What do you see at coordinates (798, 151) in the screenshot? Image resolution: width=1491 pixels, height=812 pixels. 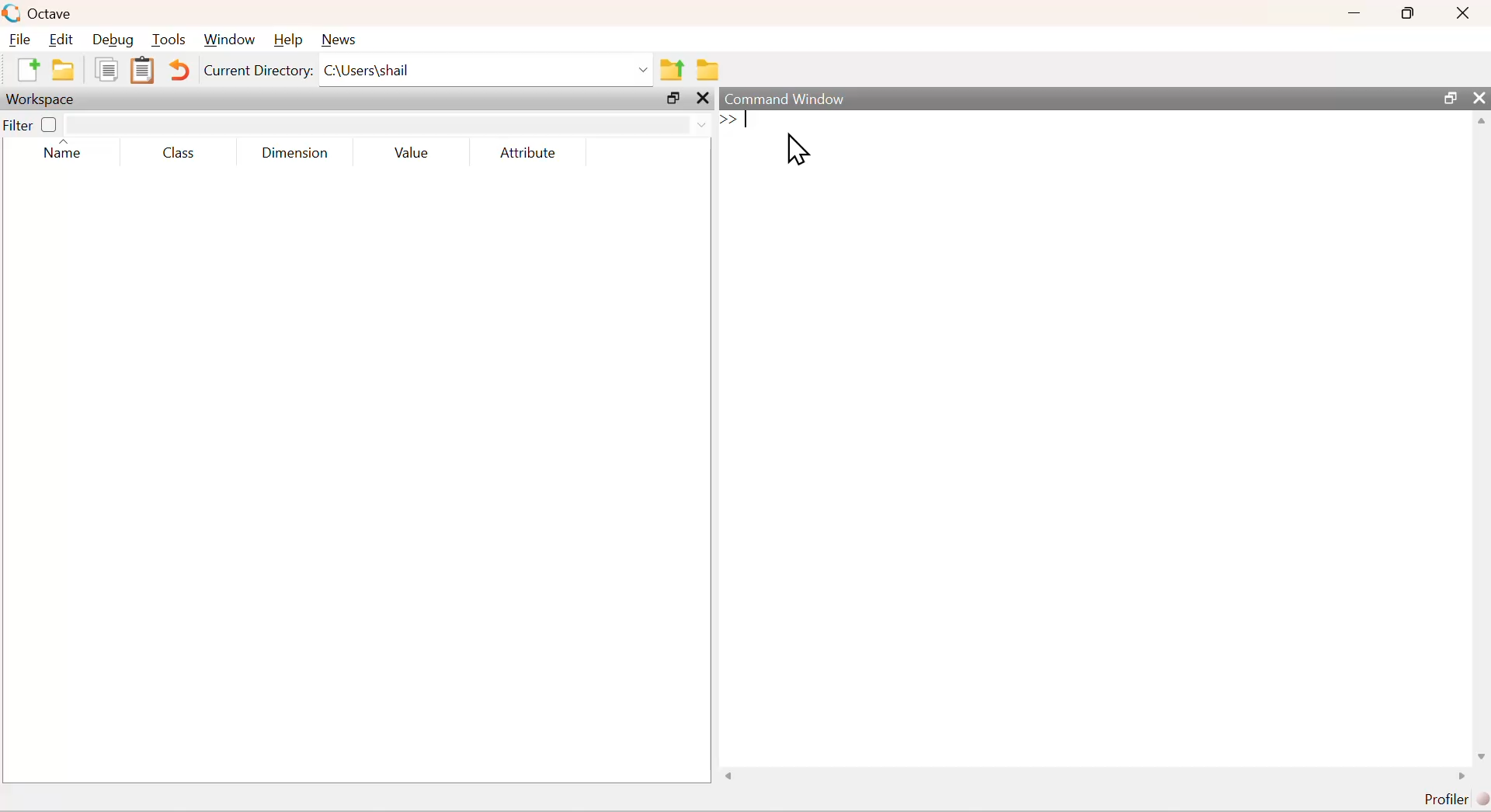 I see `cursor` at bounding box center [798, 151].